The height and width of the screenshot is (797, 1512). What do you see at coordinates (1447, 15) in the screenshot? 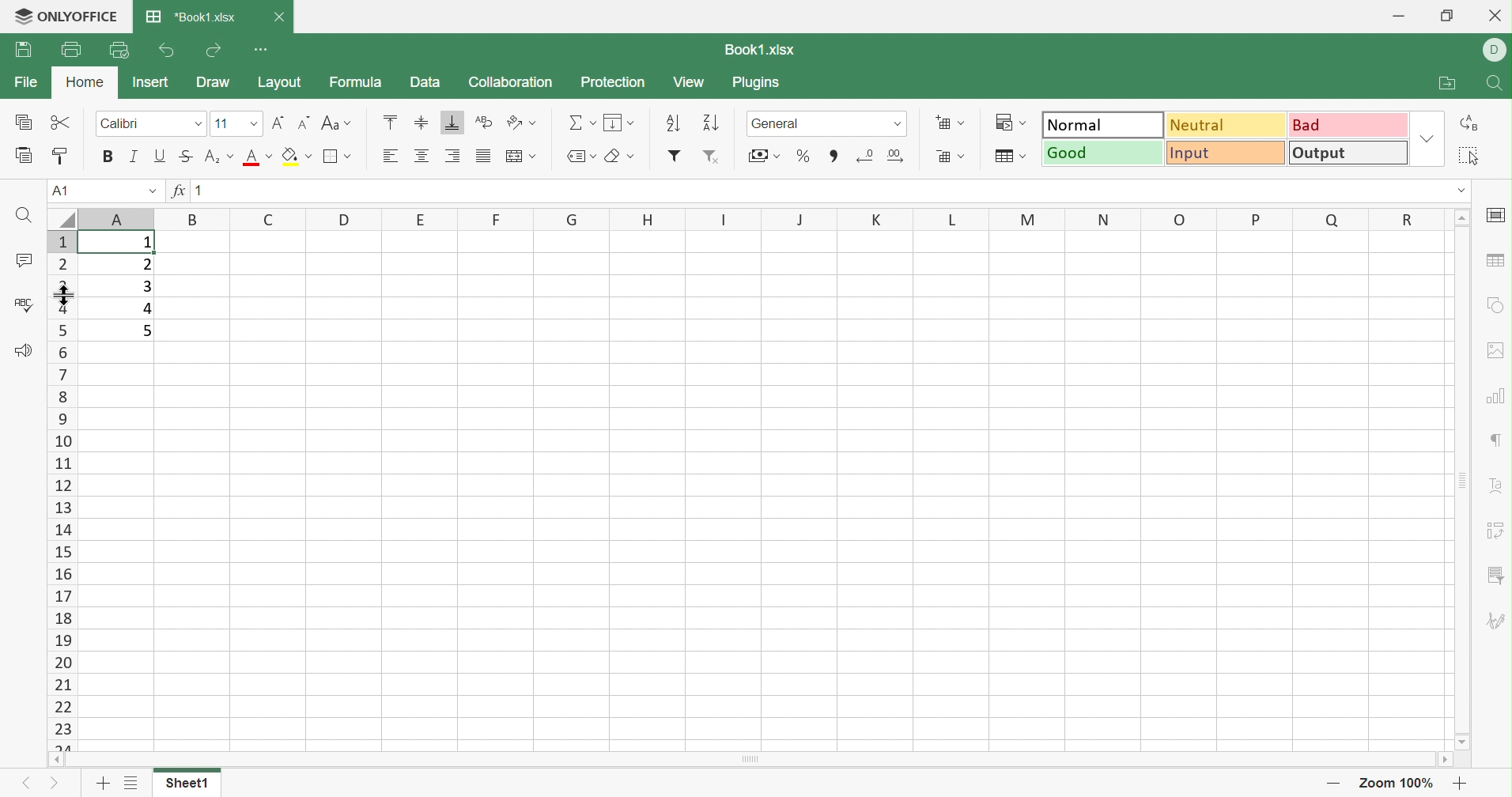
I see `Restore Down` at bounding box center [1447, 15].